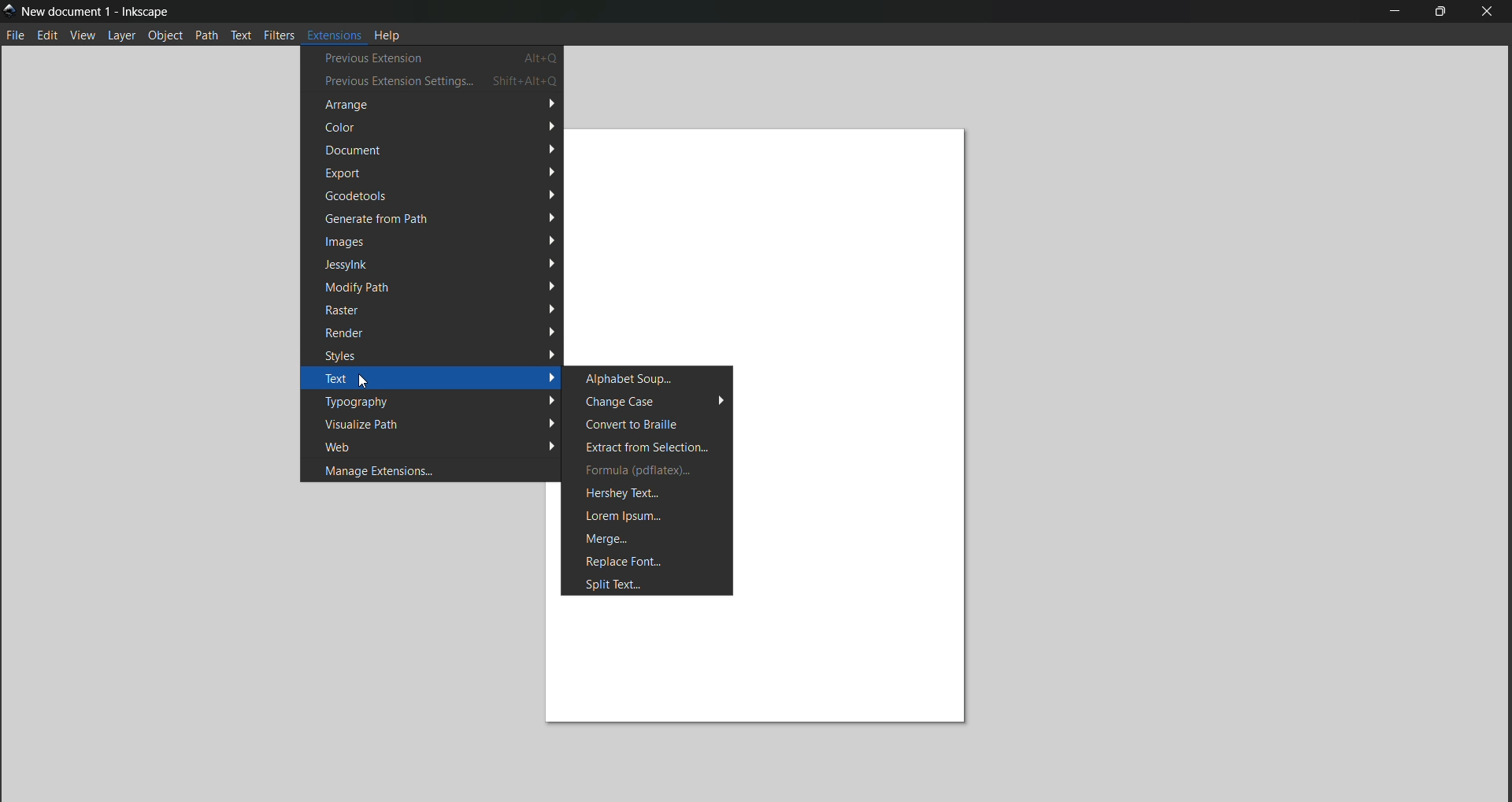  Describe the element at coordinates (165, 35) in the screenshot. I see `object` at that location.